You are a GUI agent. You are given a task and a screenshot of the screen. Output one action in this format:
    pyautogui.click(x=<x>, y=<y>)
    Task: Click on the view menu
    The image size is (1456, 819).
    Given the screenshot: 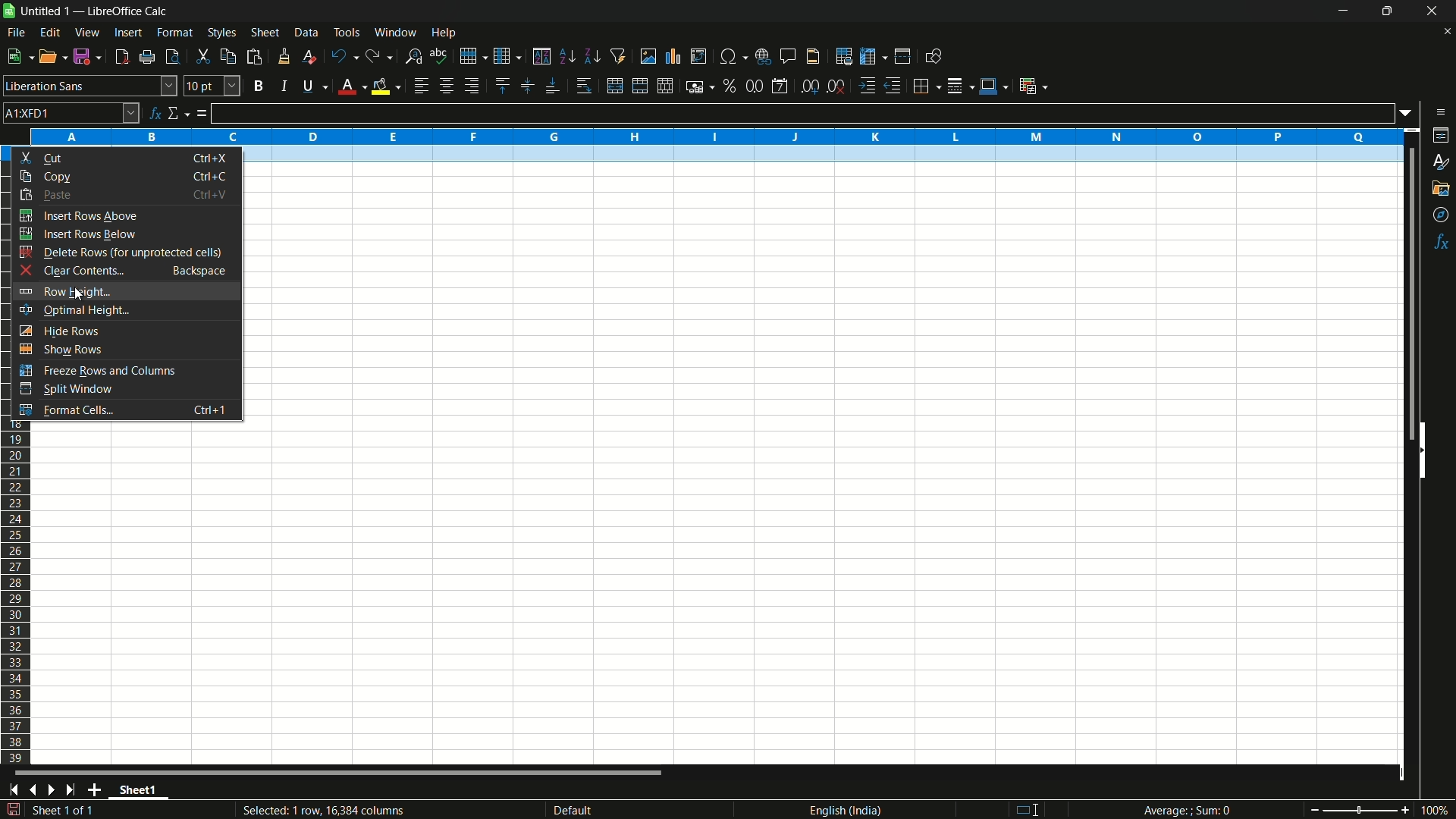 What is the action you would take?
    pyautogui.click(x=88, y=33)
    